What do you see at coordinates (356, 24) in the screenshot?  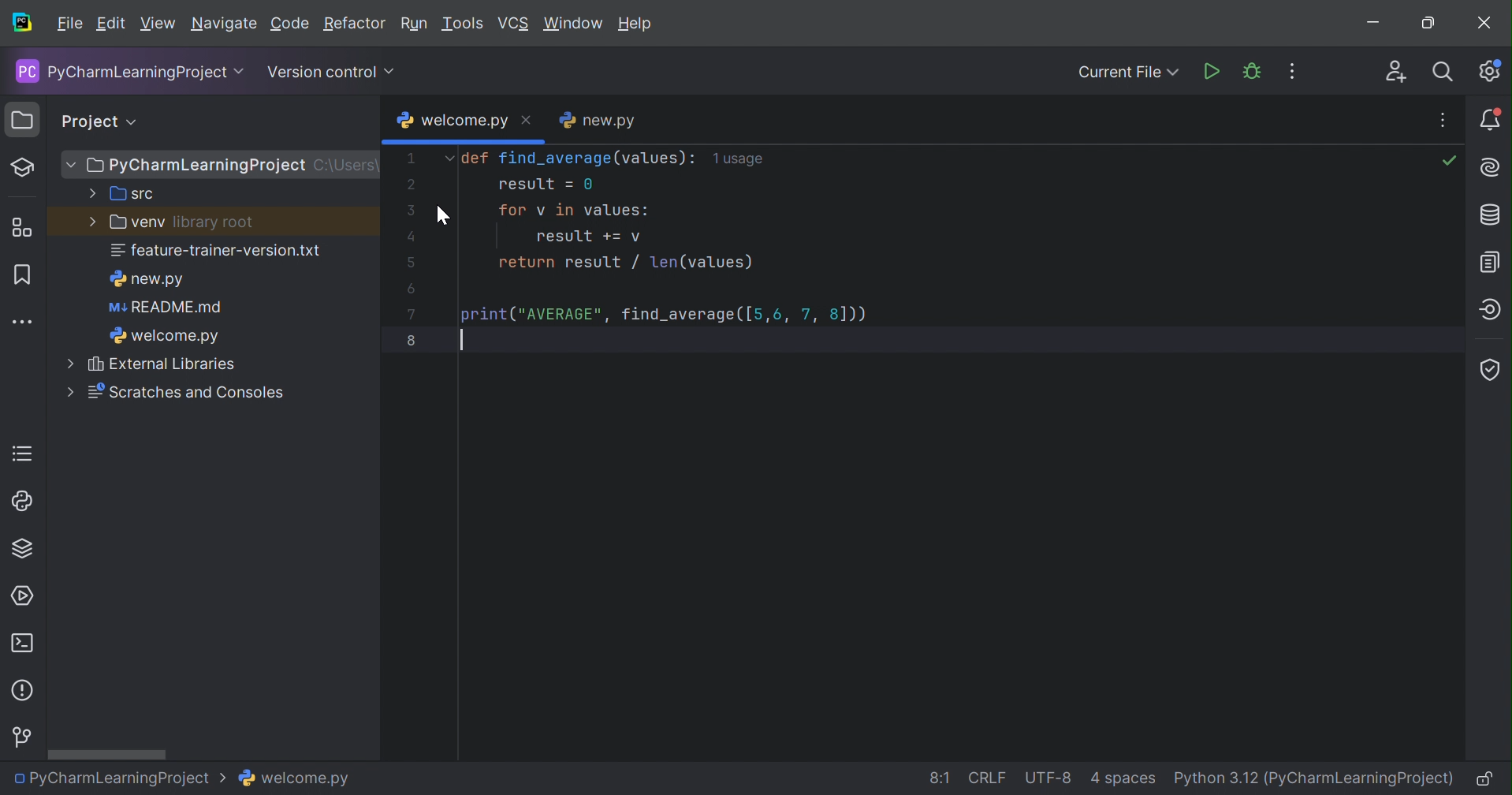 I see `Refactor` at bounding box center [356, 24].